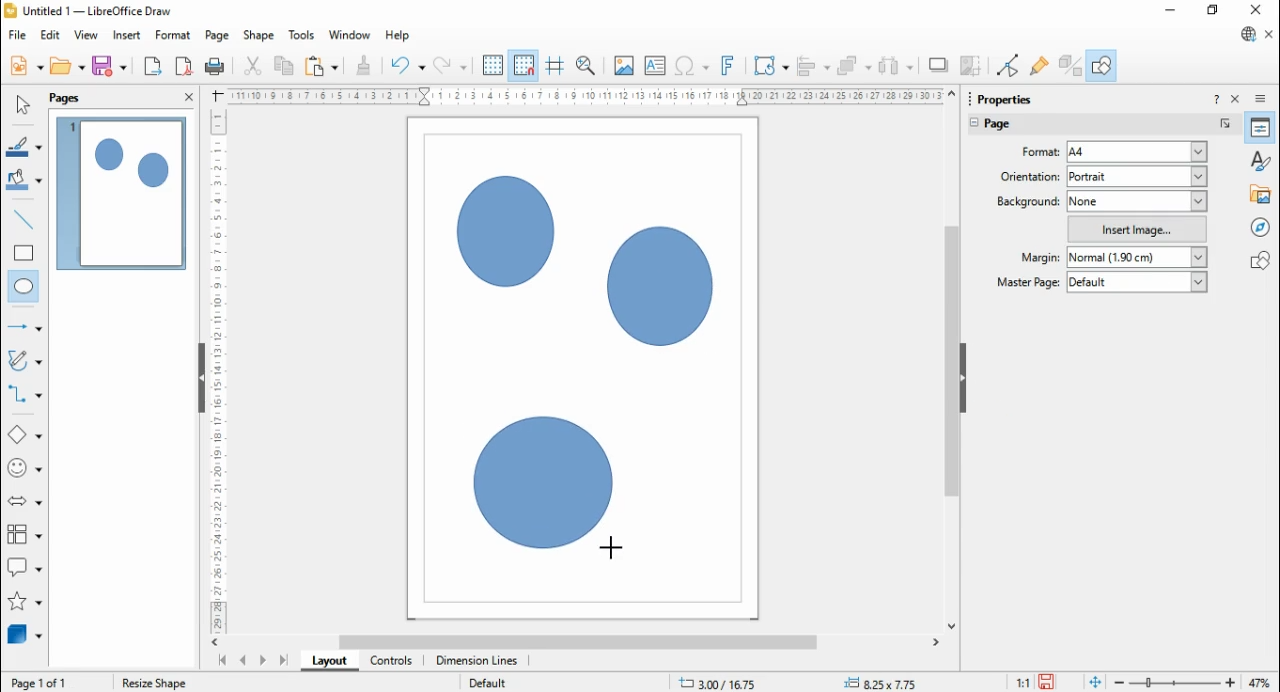 This screenshot has width=1280, height=692. What do you see at coordinates (218, 36) in the screenshot?
I see `page` at bounding box center [218, 36].